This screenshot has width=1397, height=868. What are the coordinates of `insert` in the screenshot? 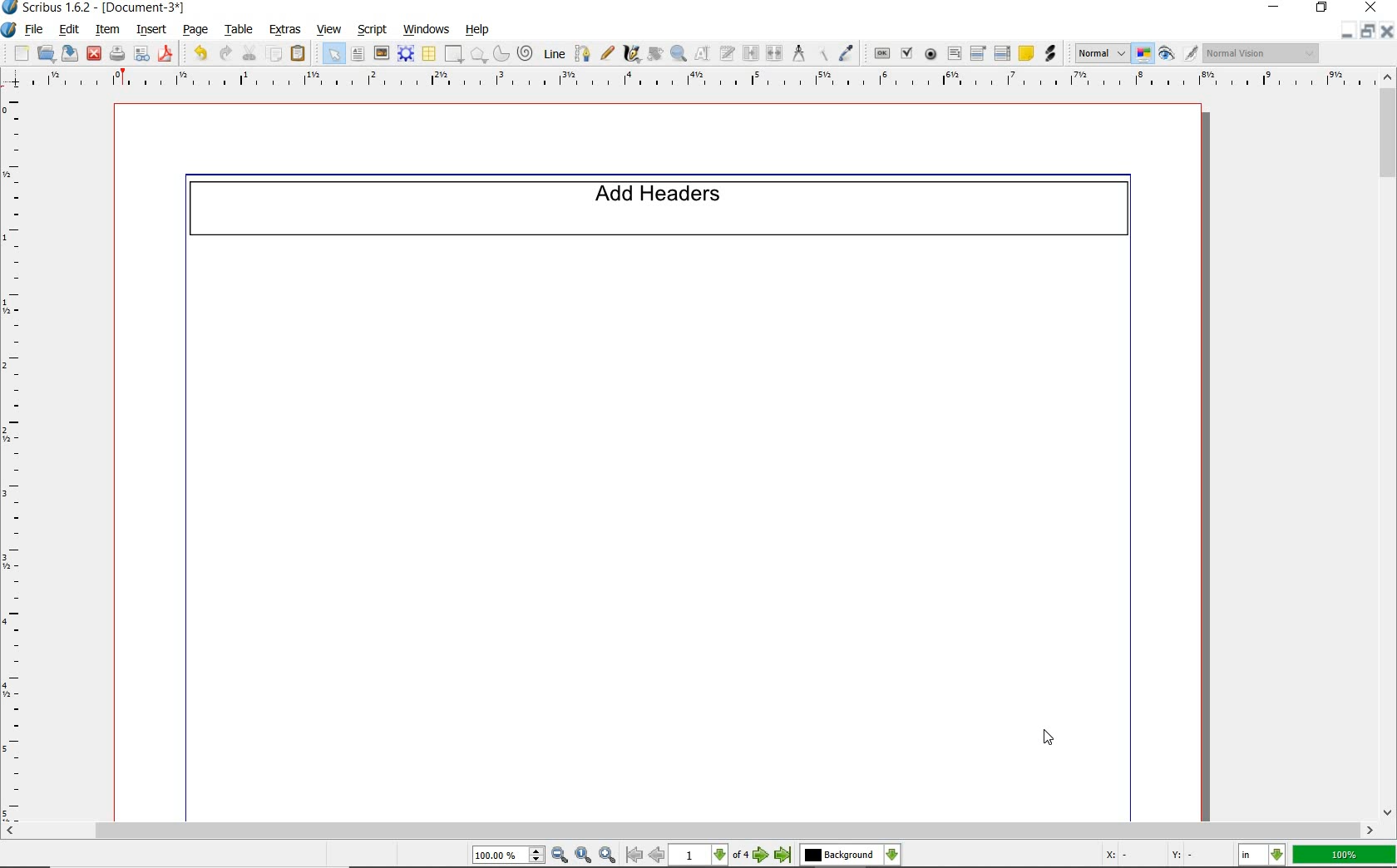 It's located at (151, 28).